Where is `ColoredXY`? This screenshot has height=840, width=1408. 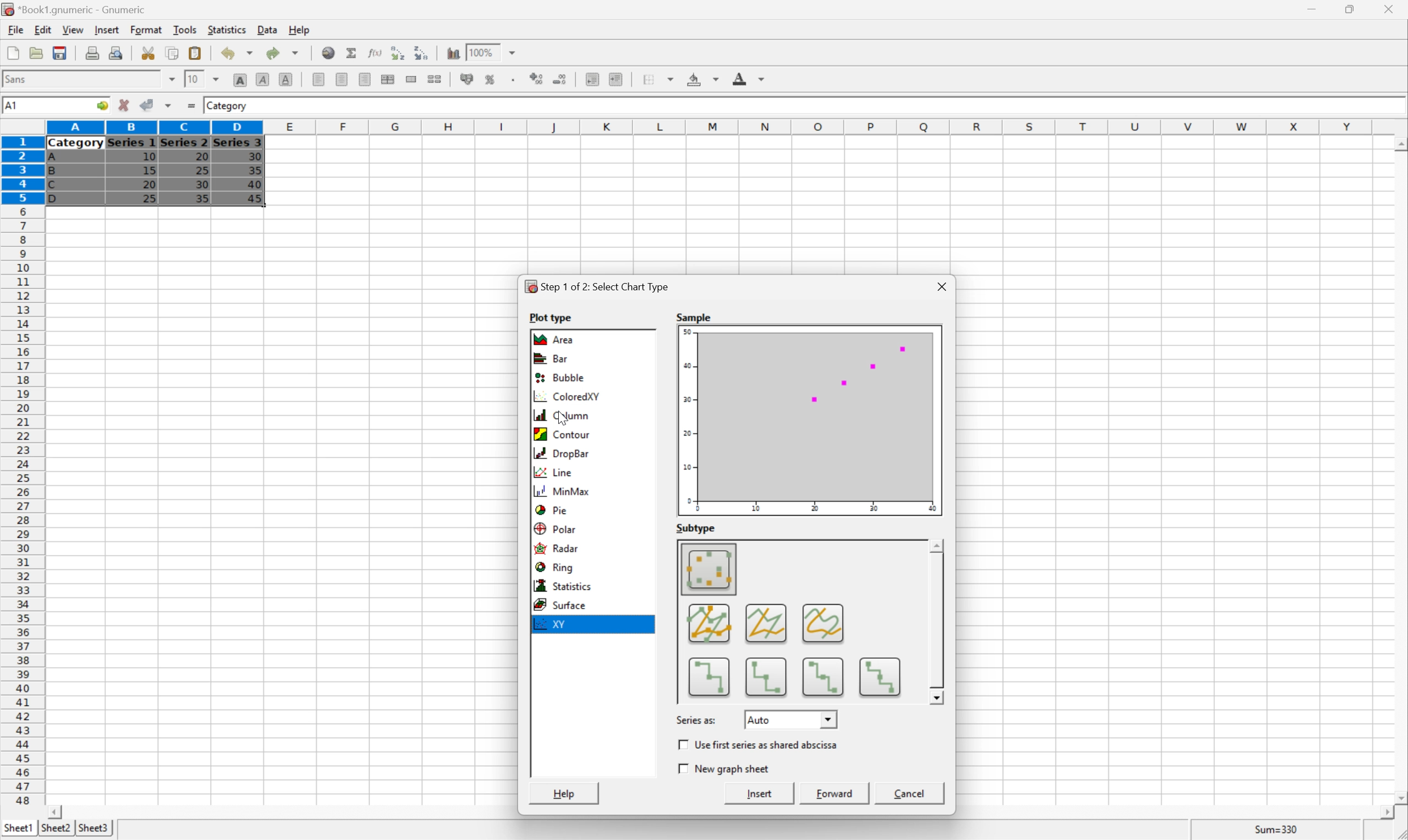
ColoredXY is located at coordinates (564, 396).